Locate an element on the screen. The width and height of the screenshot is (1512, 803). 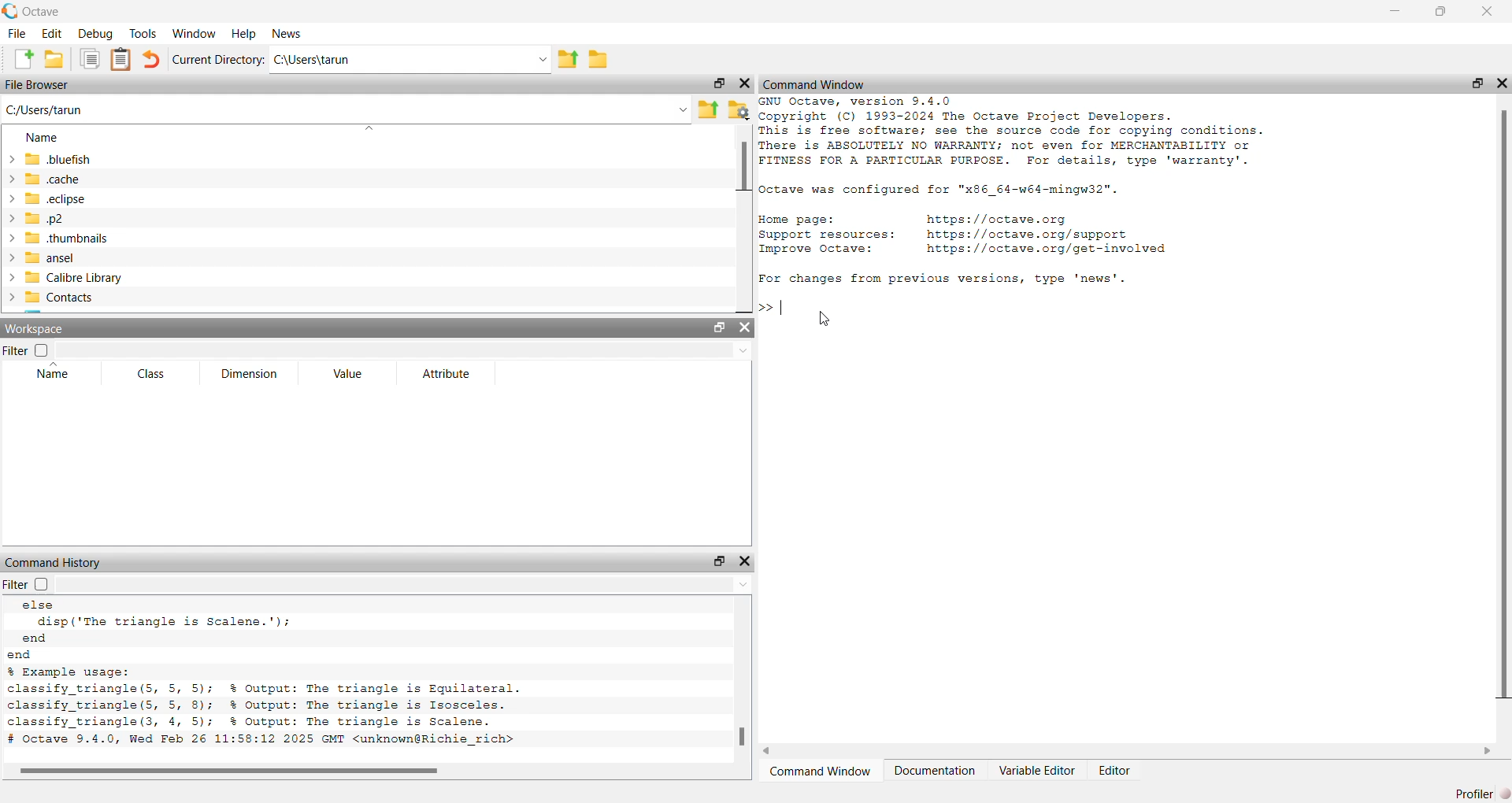
.thumbnails is located at coordinates (71, 239).